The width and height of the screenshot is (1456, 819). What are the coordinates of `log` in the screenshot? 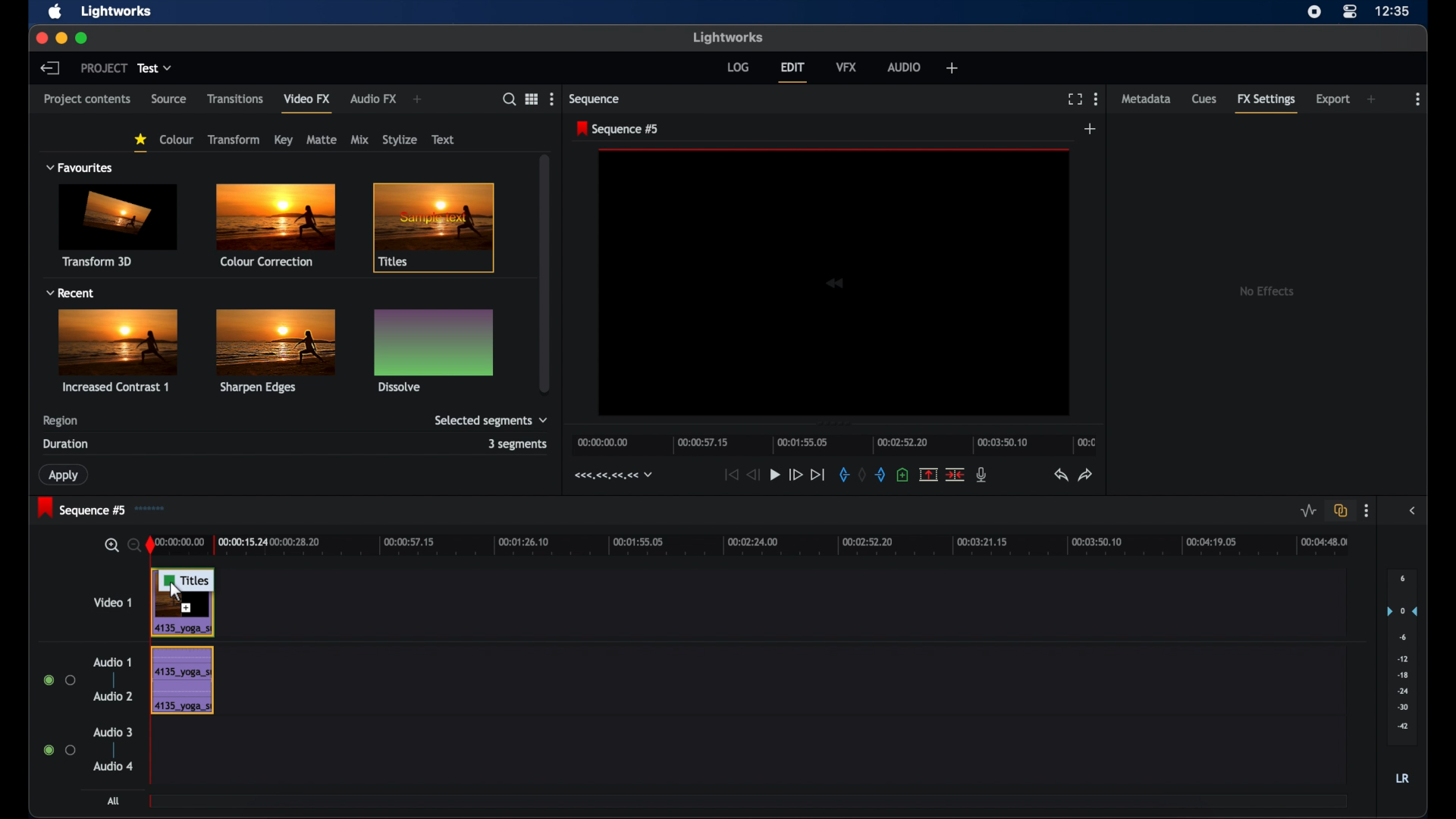 It's located at (738, 67).